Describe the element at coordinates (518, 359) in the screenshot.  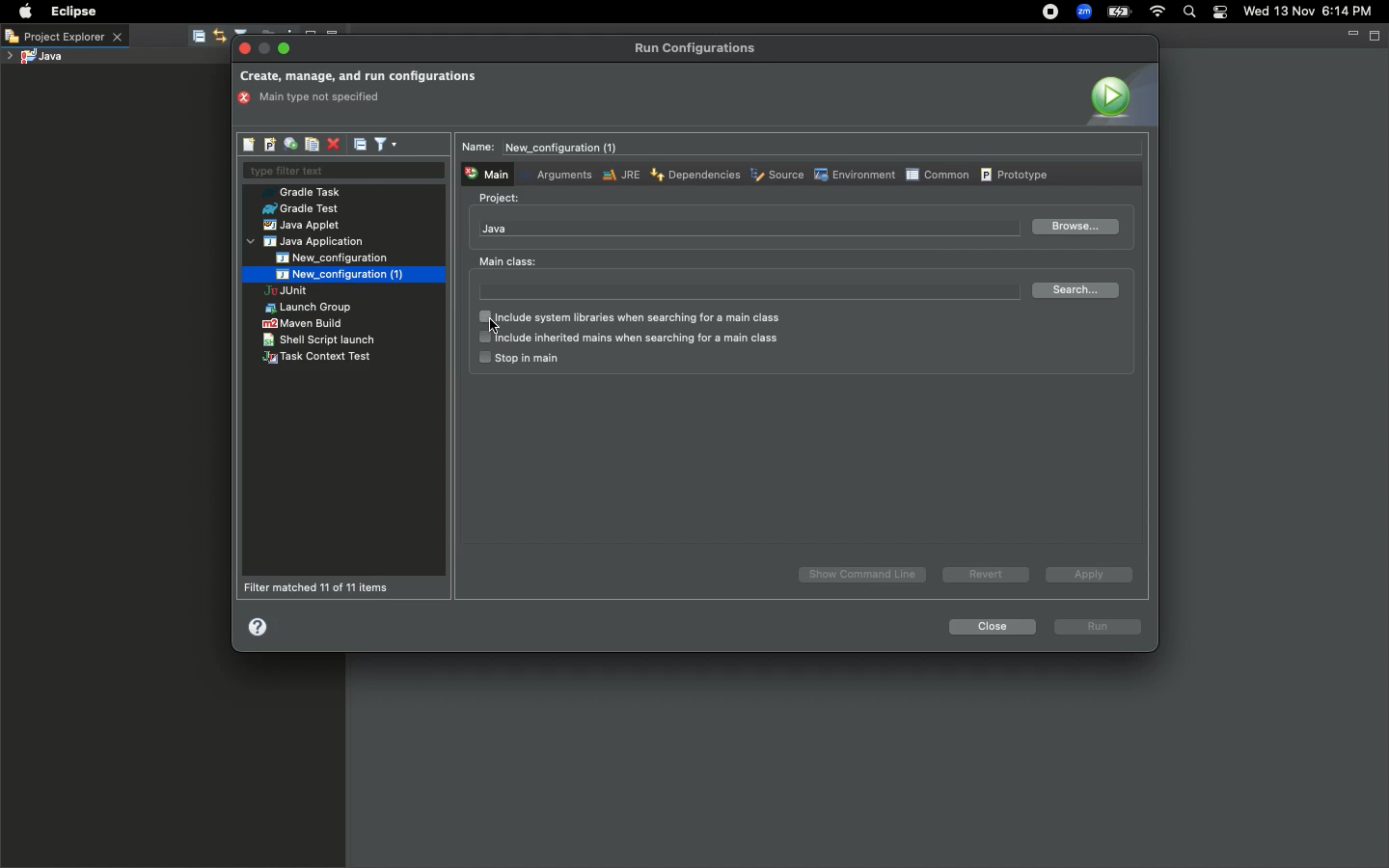
I see `stop in main` at that location.